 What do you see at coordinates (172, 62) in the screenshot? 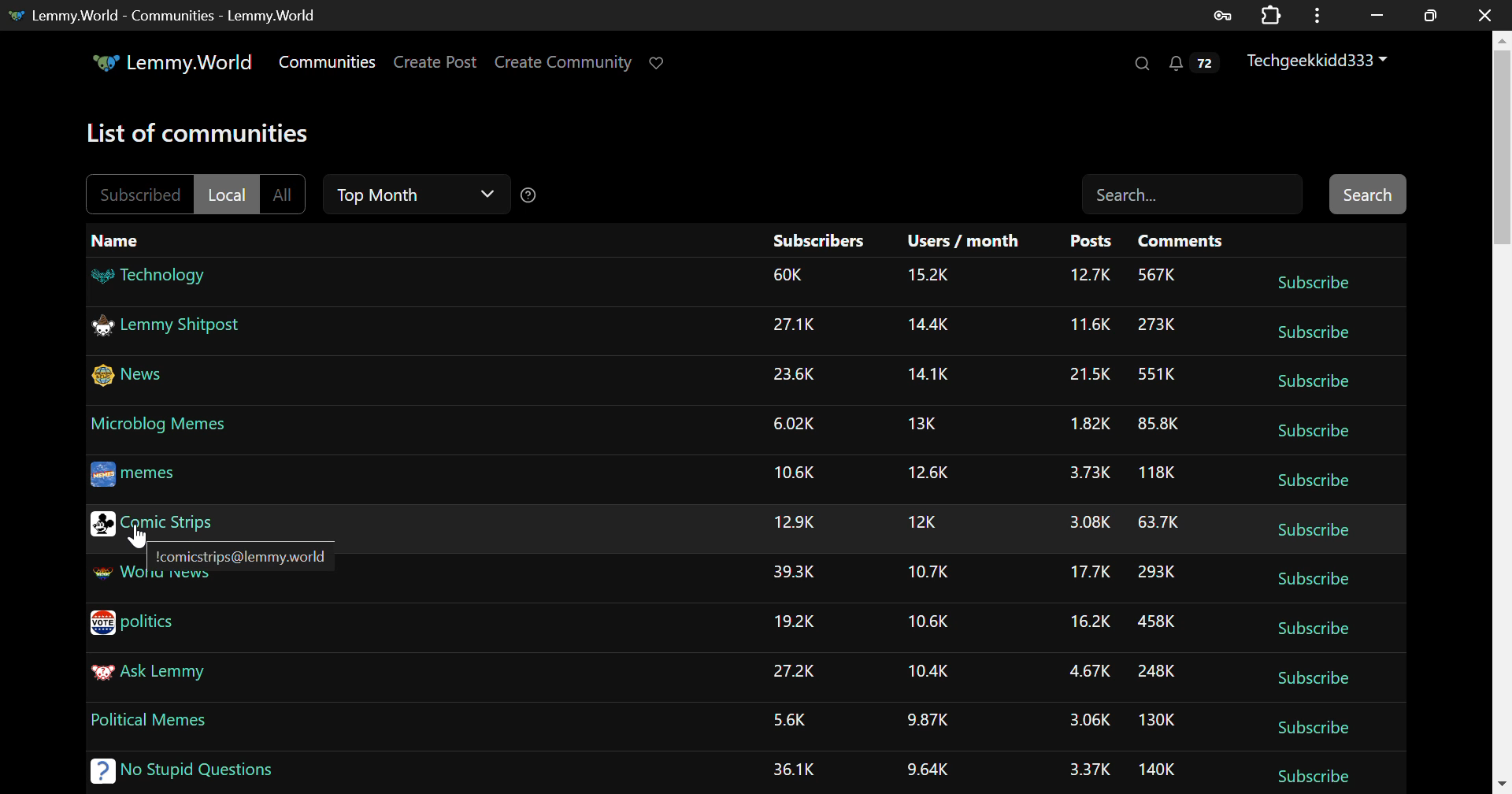
I see `Lemmy.World` at bounding box center [172, 62].